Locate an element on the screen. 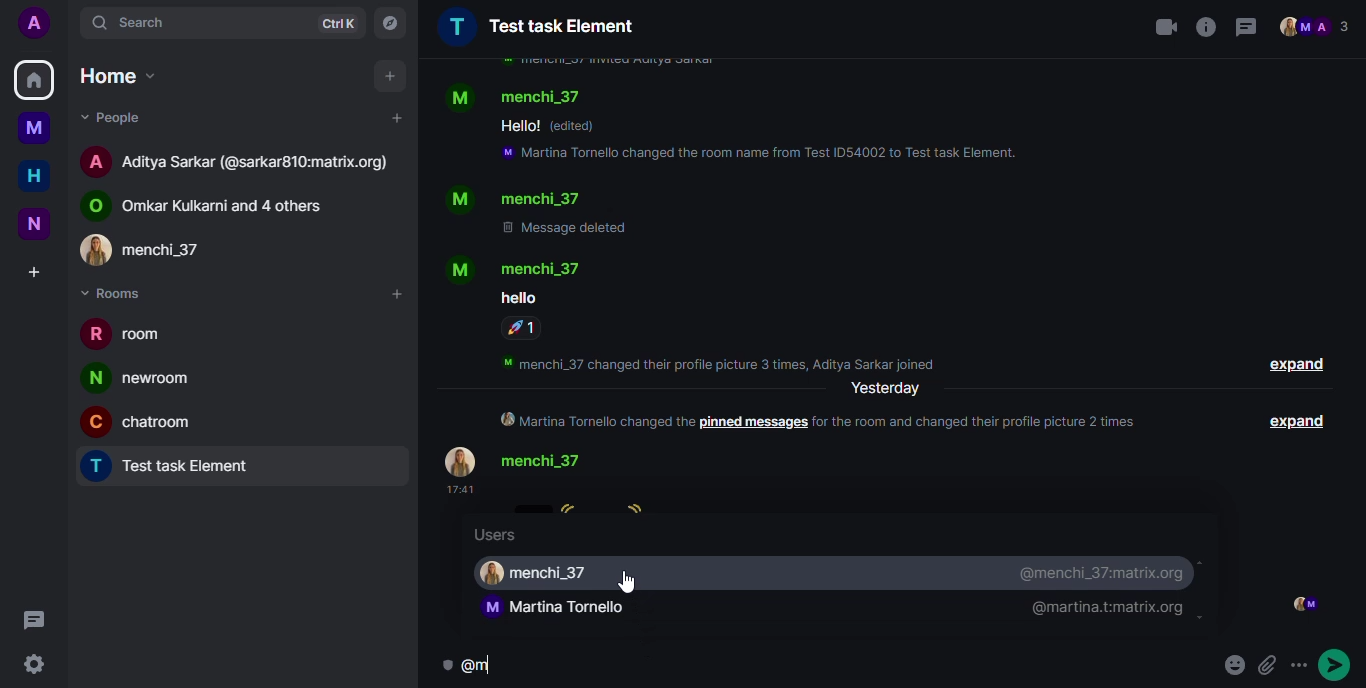 The image size is (1366, 688). id is located at coordinates (1105, 609).